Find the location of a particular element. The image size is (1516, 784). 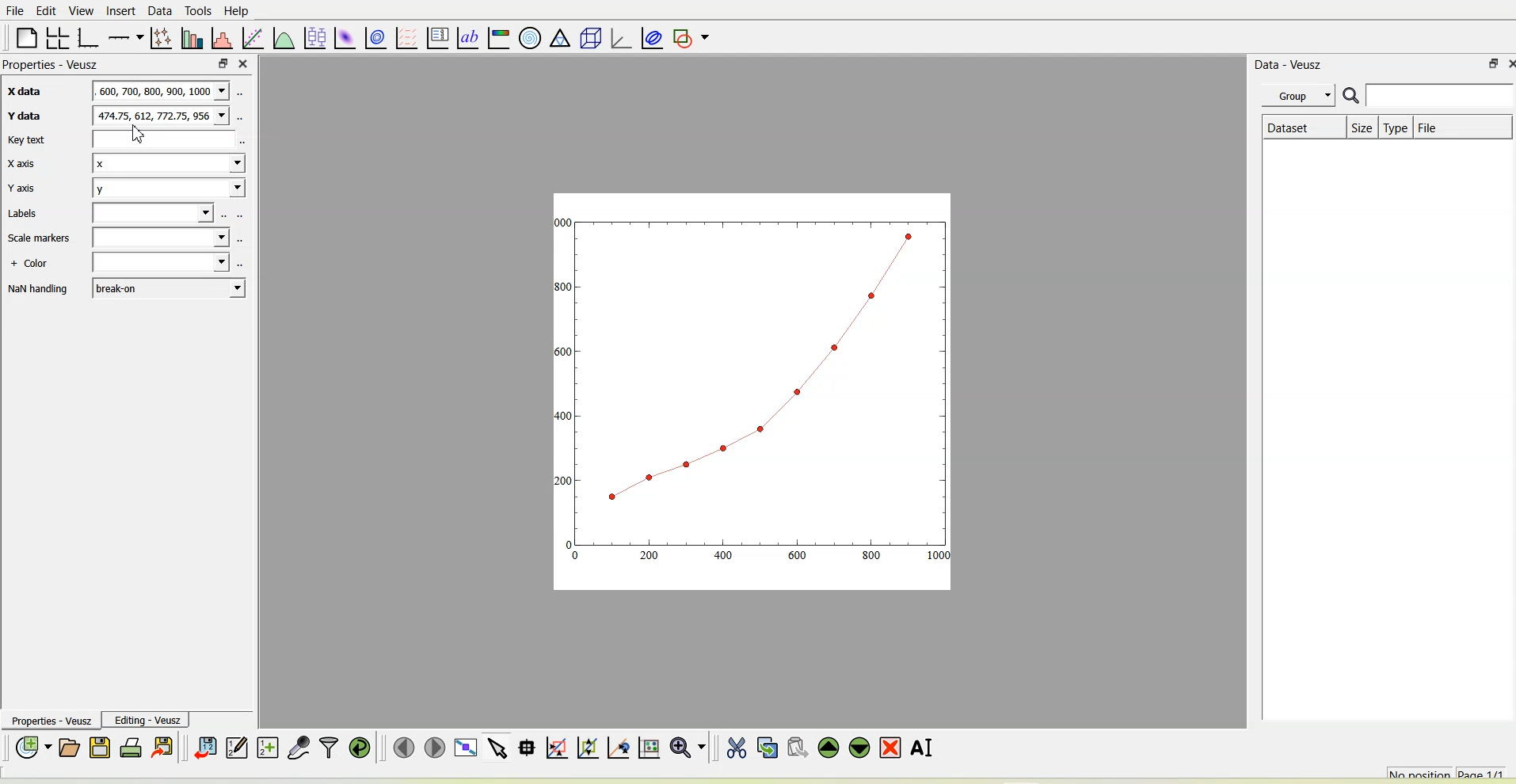

3d scene is located at coordinates (588, 37).